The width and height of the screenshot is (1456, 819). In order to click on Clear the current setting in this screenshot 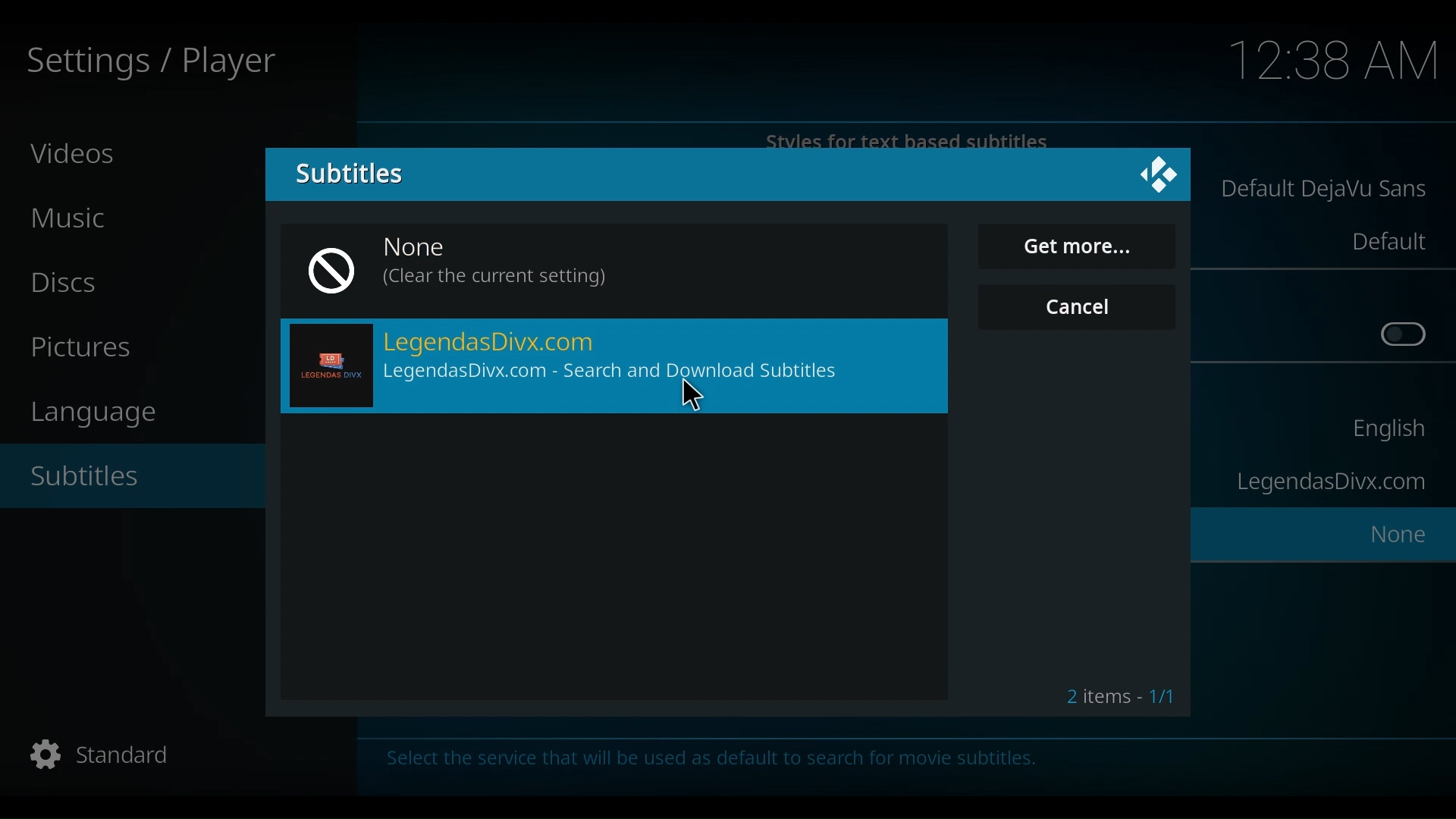, I will do `click(497, 279)`.